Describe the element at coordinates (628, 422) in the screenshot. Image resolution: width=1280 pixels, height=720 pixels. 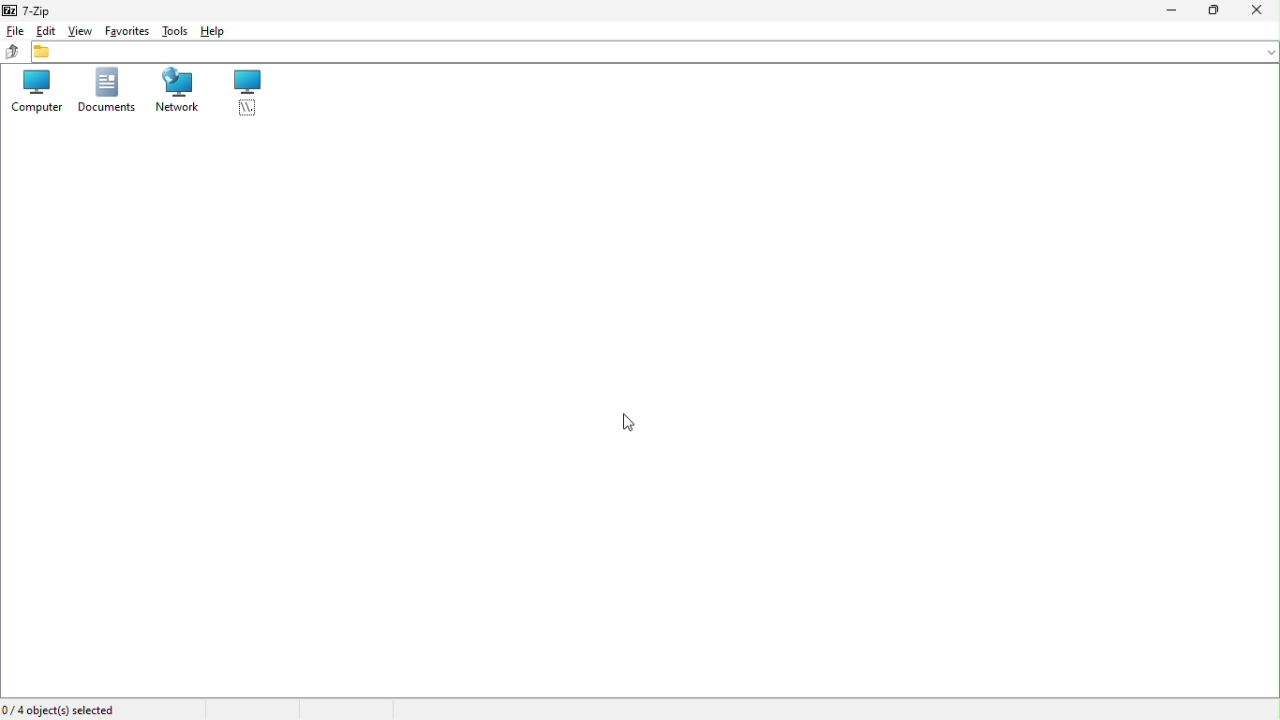
I see `cursor` at that location.